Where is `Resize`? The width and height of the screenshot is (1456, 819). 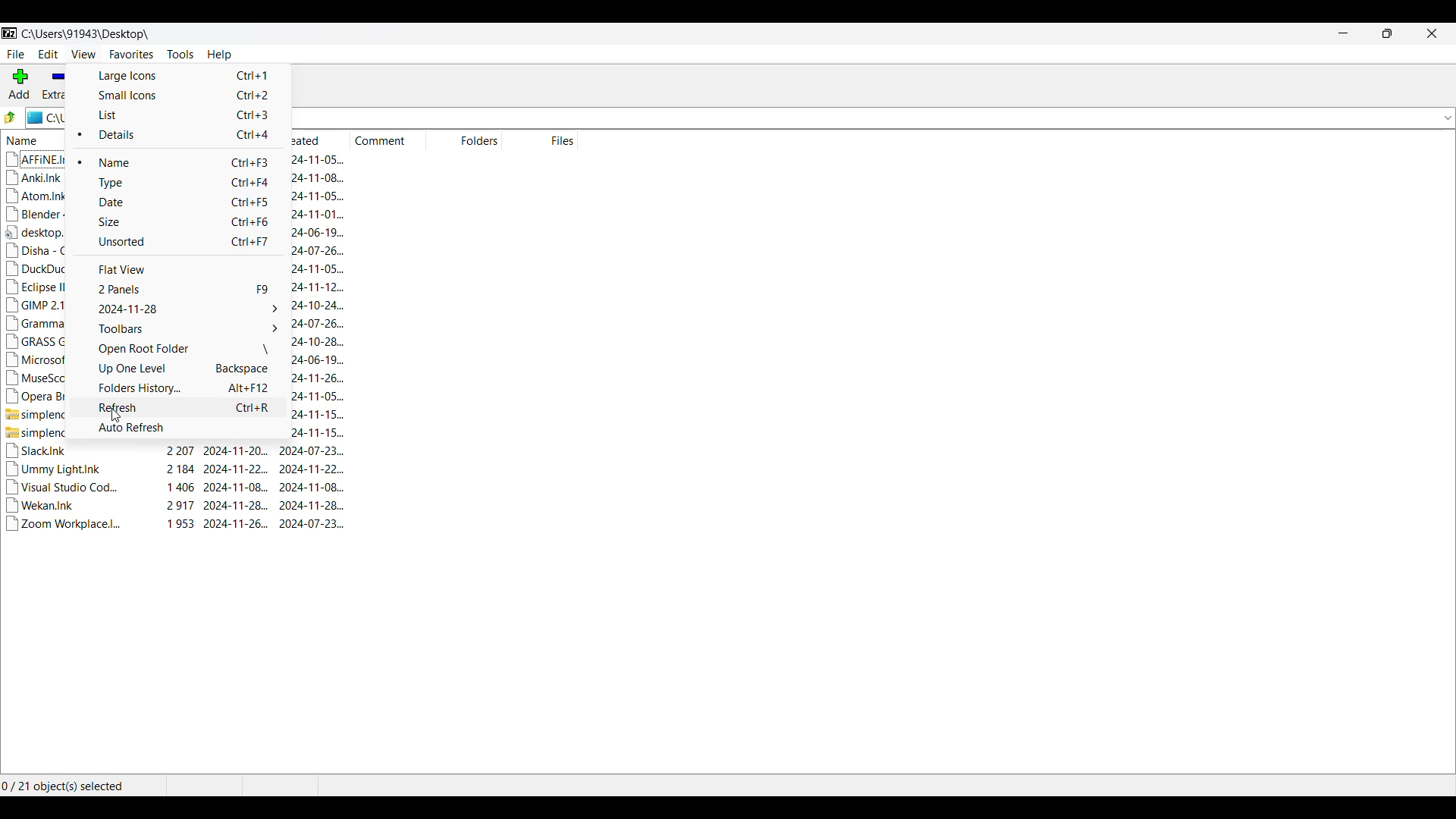 Resize is located at coordinates (1387, 33).